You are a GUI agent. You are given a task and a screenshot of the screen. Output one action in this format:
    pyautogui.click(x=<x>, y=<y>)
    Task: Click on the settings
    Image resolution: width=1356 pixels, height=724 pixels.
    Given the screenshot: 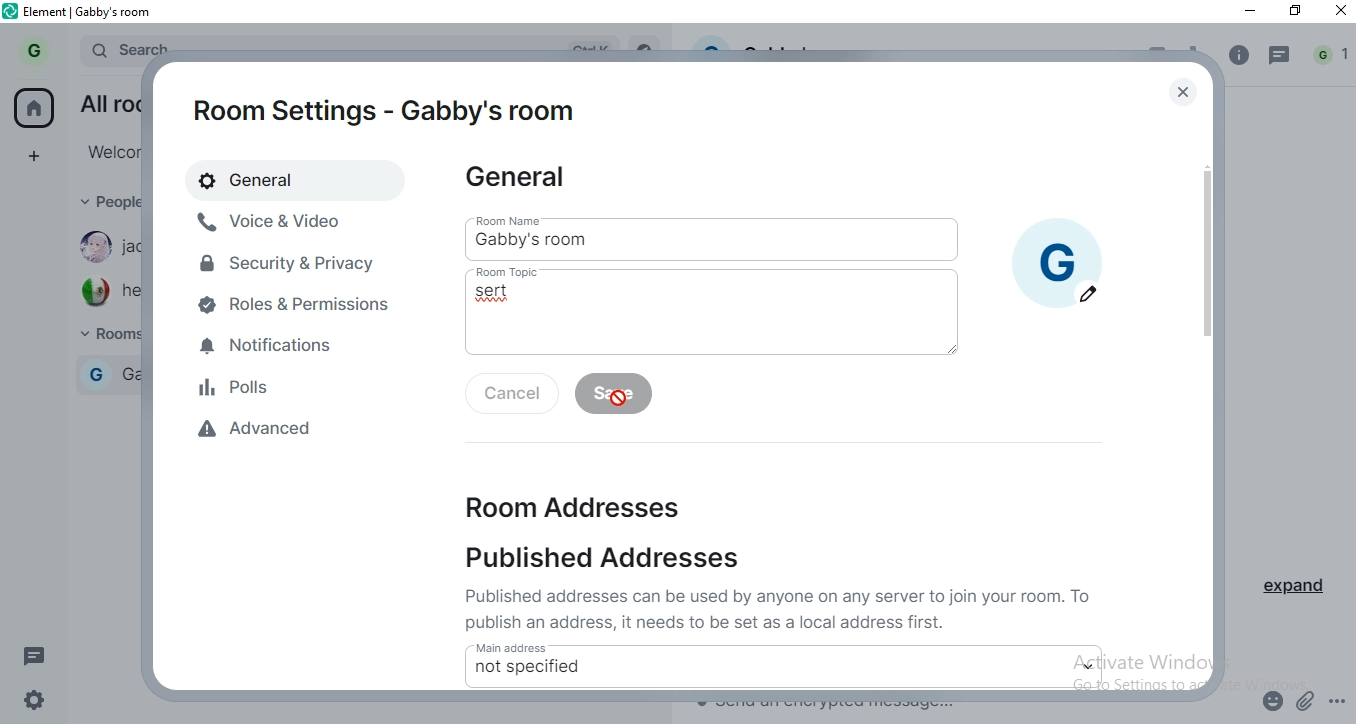 What is the action you would take?
    pyautogui.click(x=41, y=698)
    